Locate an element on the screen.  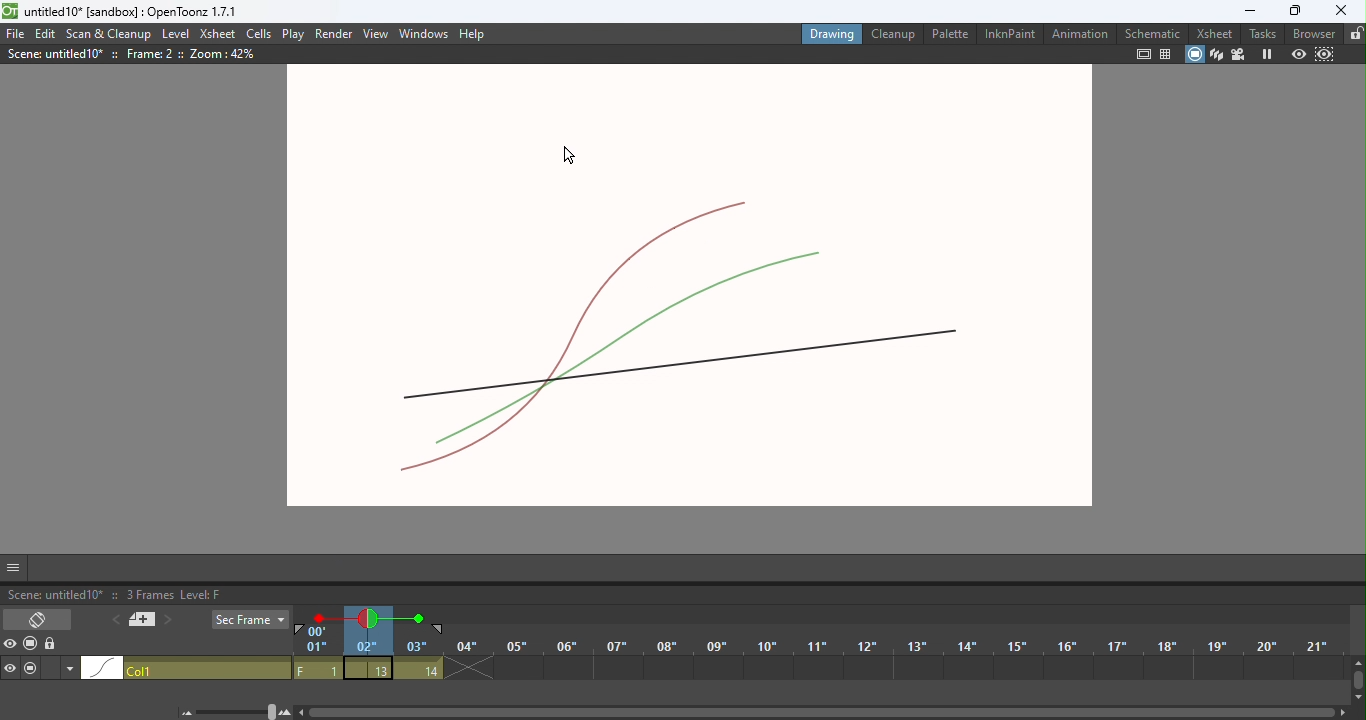
Zoom in is located at coordinates (288, 712).